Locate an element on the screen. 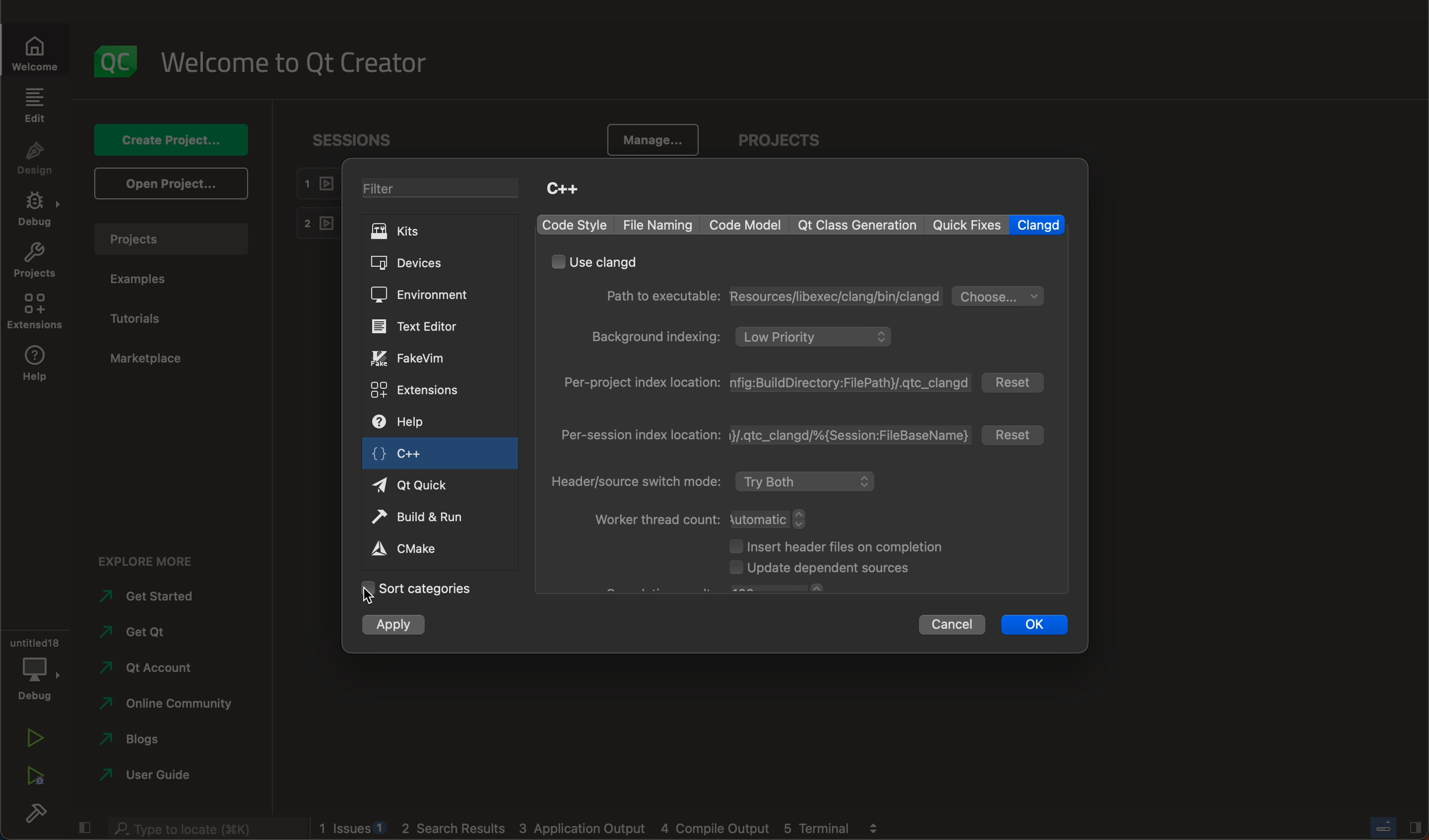 The image size is (1429, 840). examples is located at coordinates (159, 280).